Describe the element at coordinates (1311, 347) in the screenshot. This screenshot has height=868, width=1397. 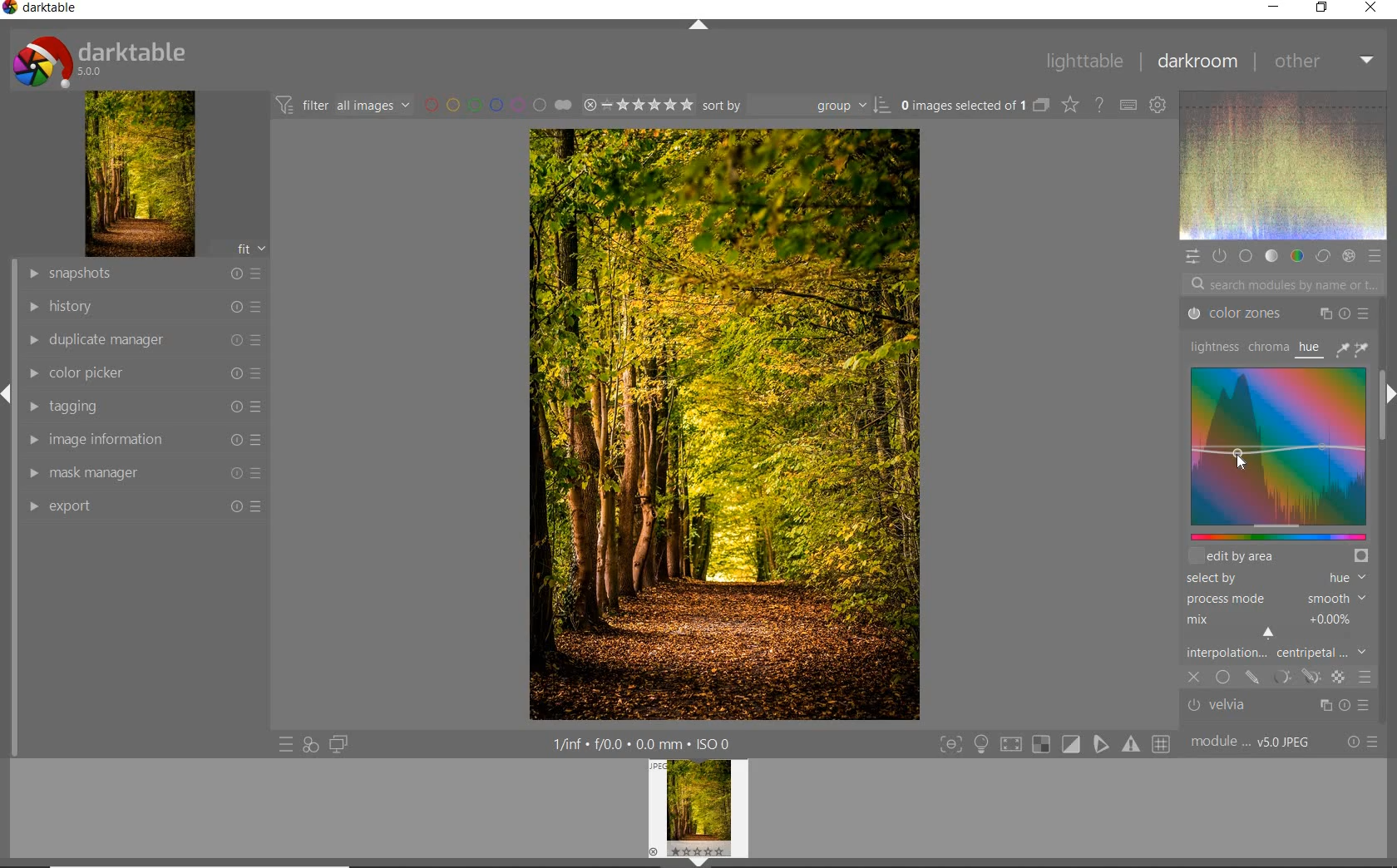
I see `hue` at that location.